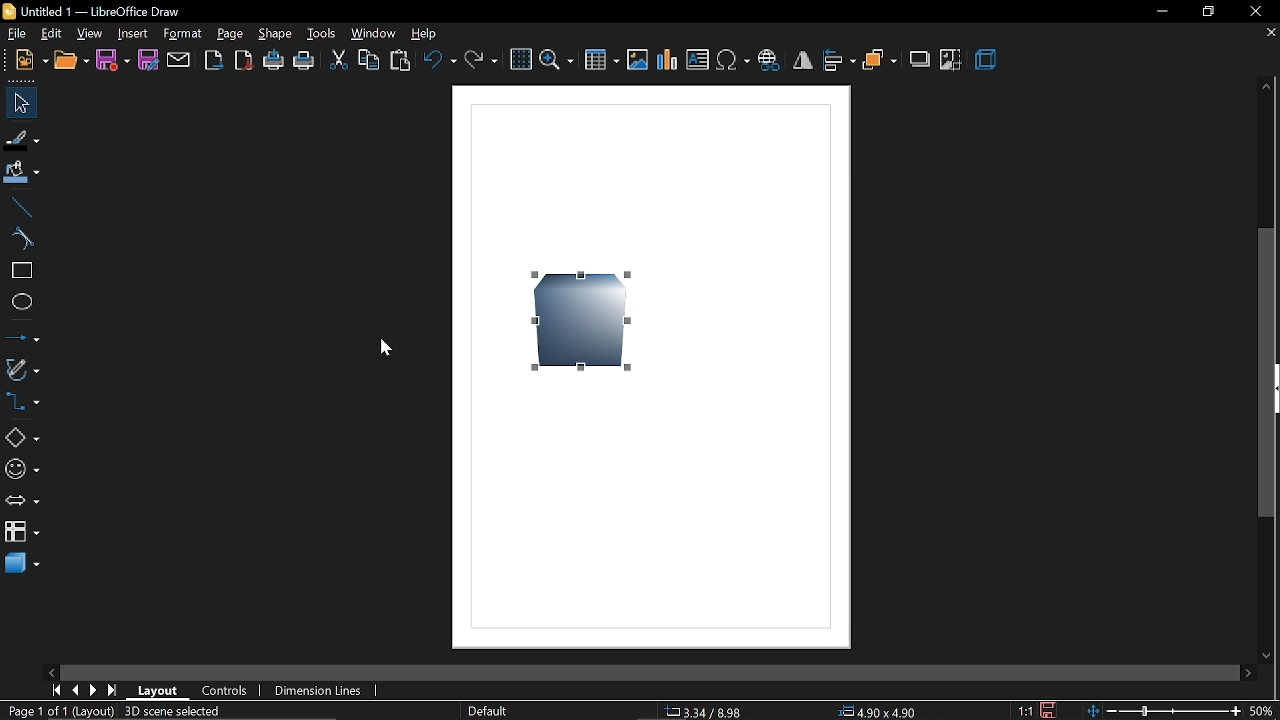  What do you see at coordinates (149, 60) in the screenshot?
I see `save as` at bounding box center [149, 60].